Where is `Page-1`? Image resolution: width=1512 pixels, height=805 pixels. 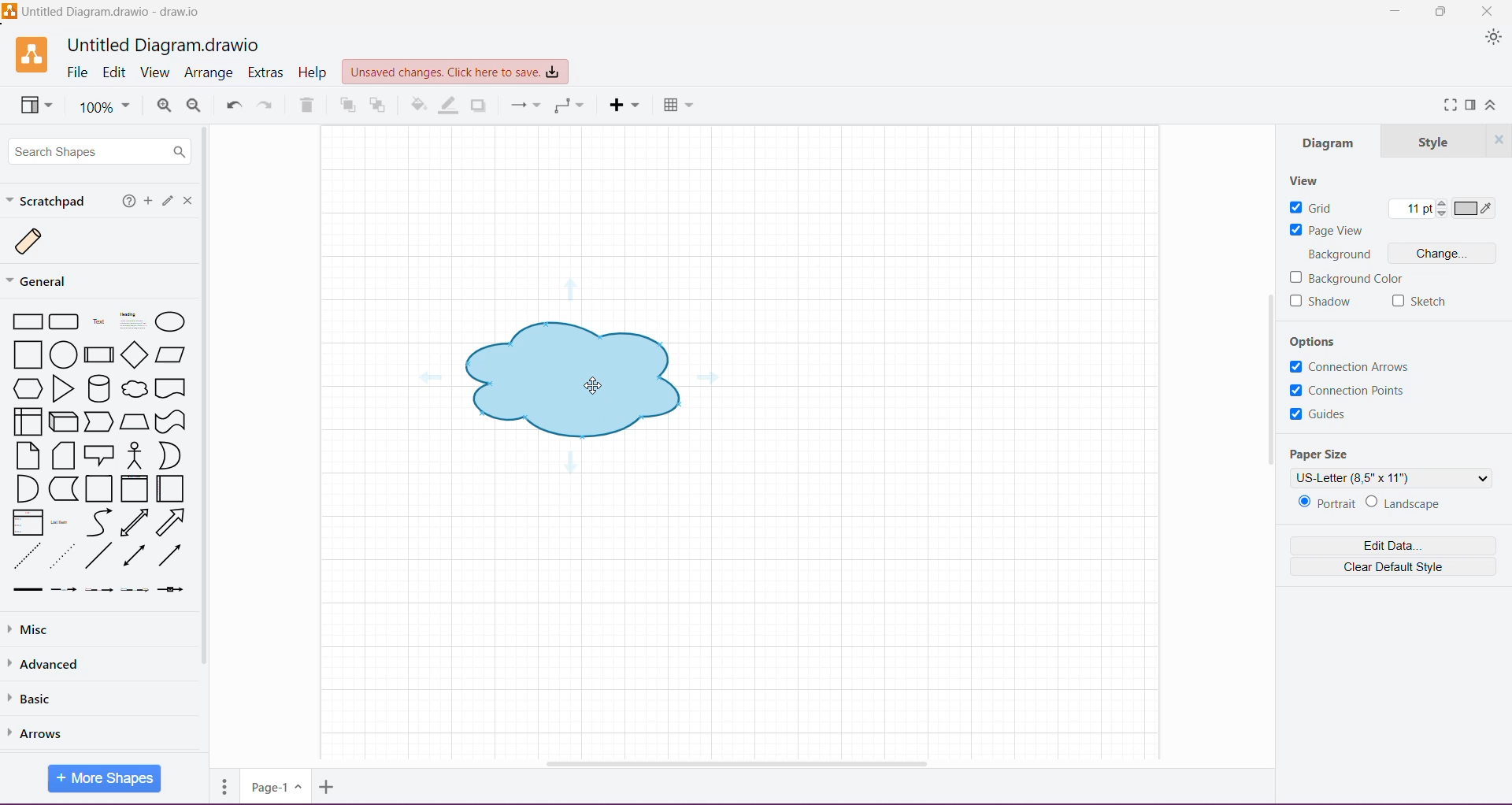
Page-1 is located at coordinates (274, 787).